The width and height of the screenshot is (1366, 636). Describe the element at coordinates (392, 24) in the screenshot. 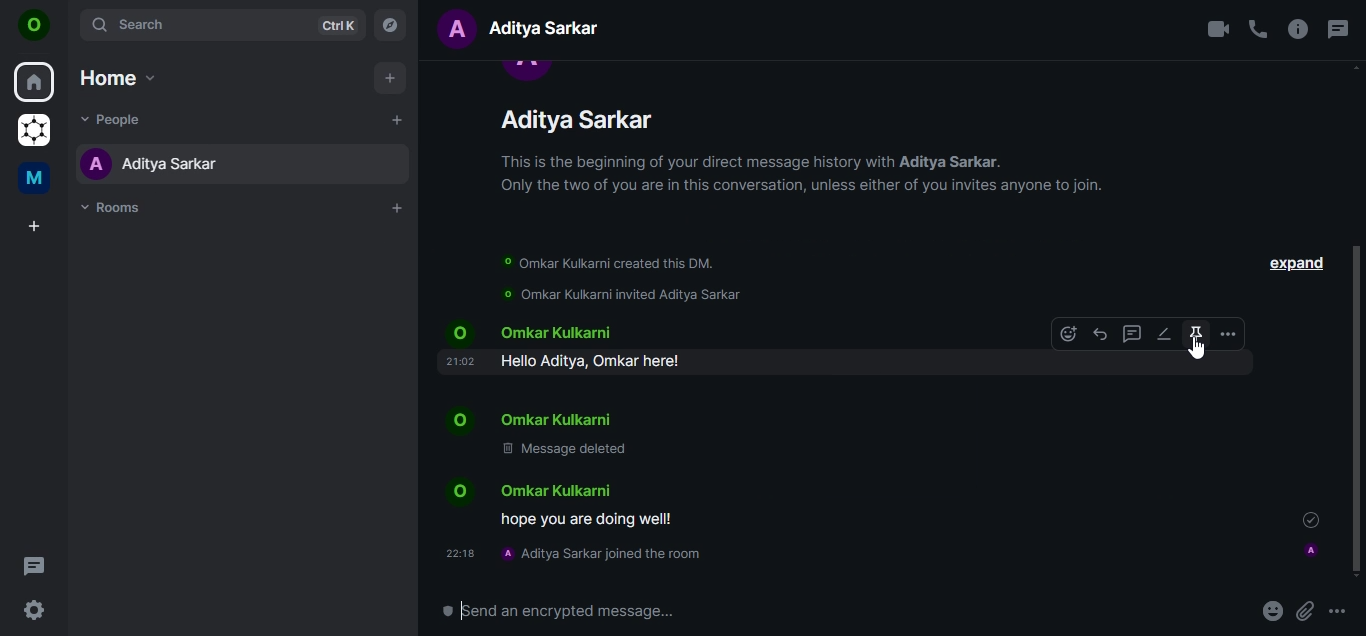

I see `explore rooms` at that location.